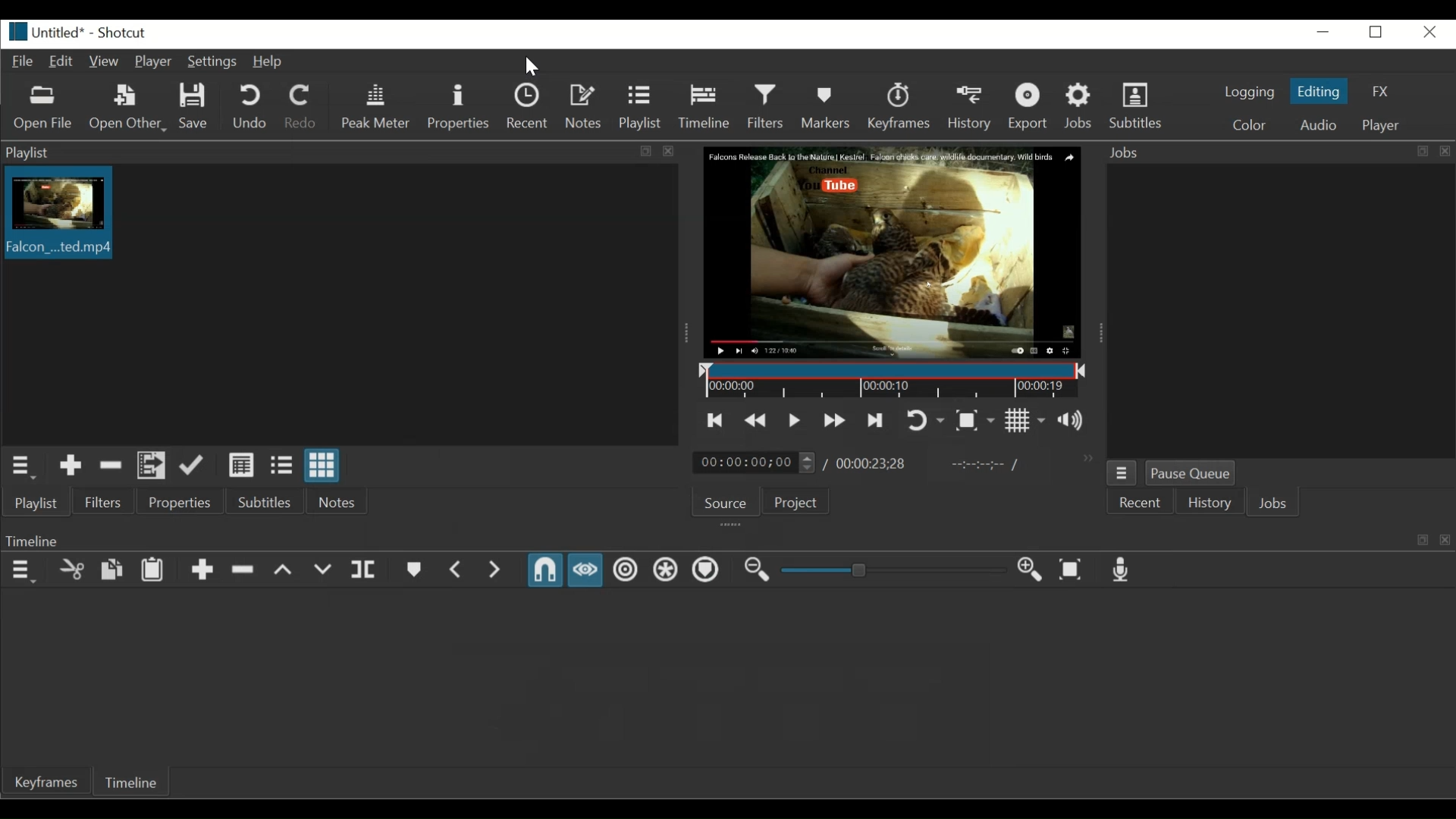 This screenshot has height=819, width=1456. Describe the element at coordinates (1030, 570) in the screenshot. I see `Zoom Timeline in` at that location.